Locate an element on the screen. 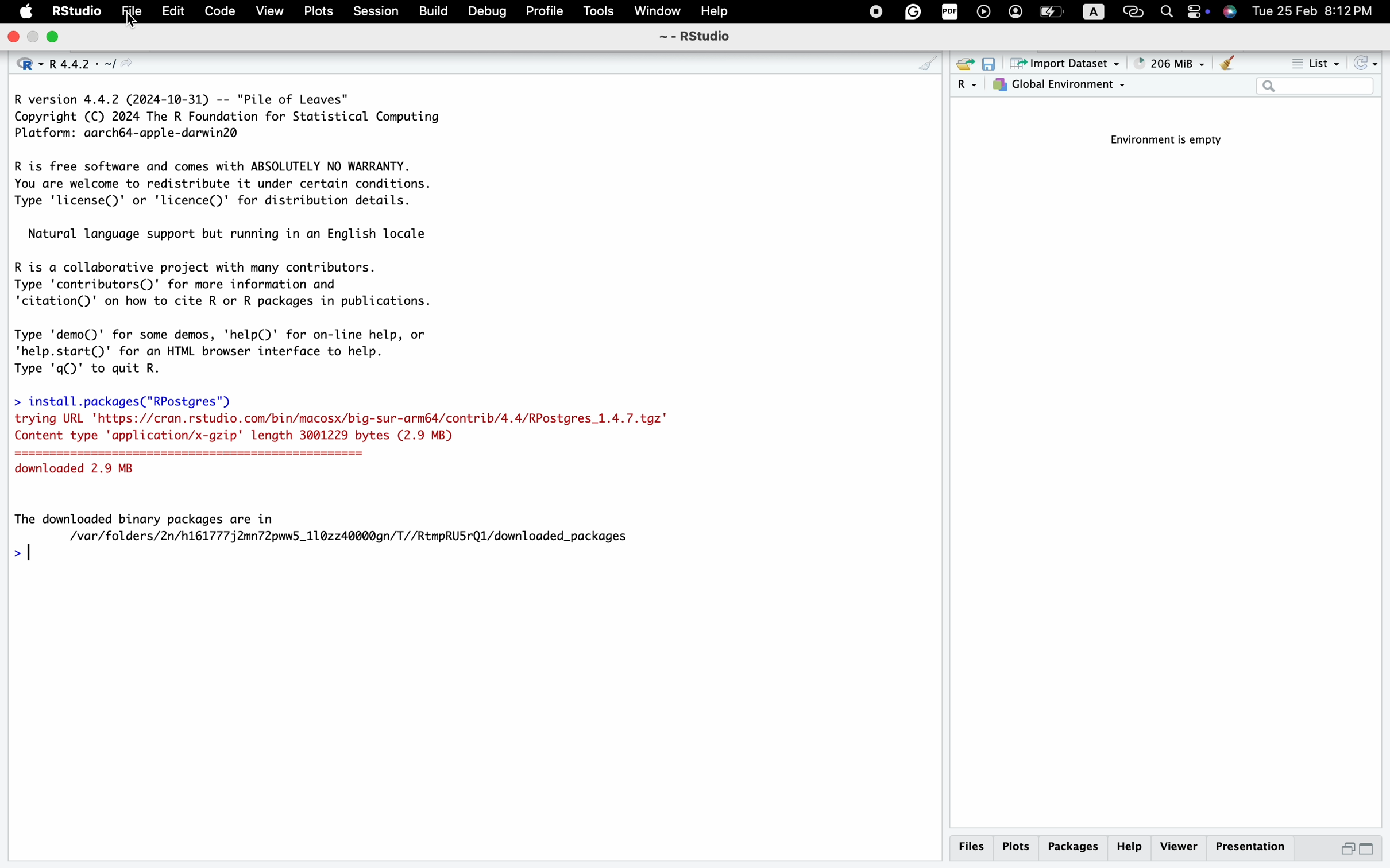 Image resolution: width=1390 pixels, height=868 pixels. R 4.4.2 . ~/ is located at coordinates (84, 63).